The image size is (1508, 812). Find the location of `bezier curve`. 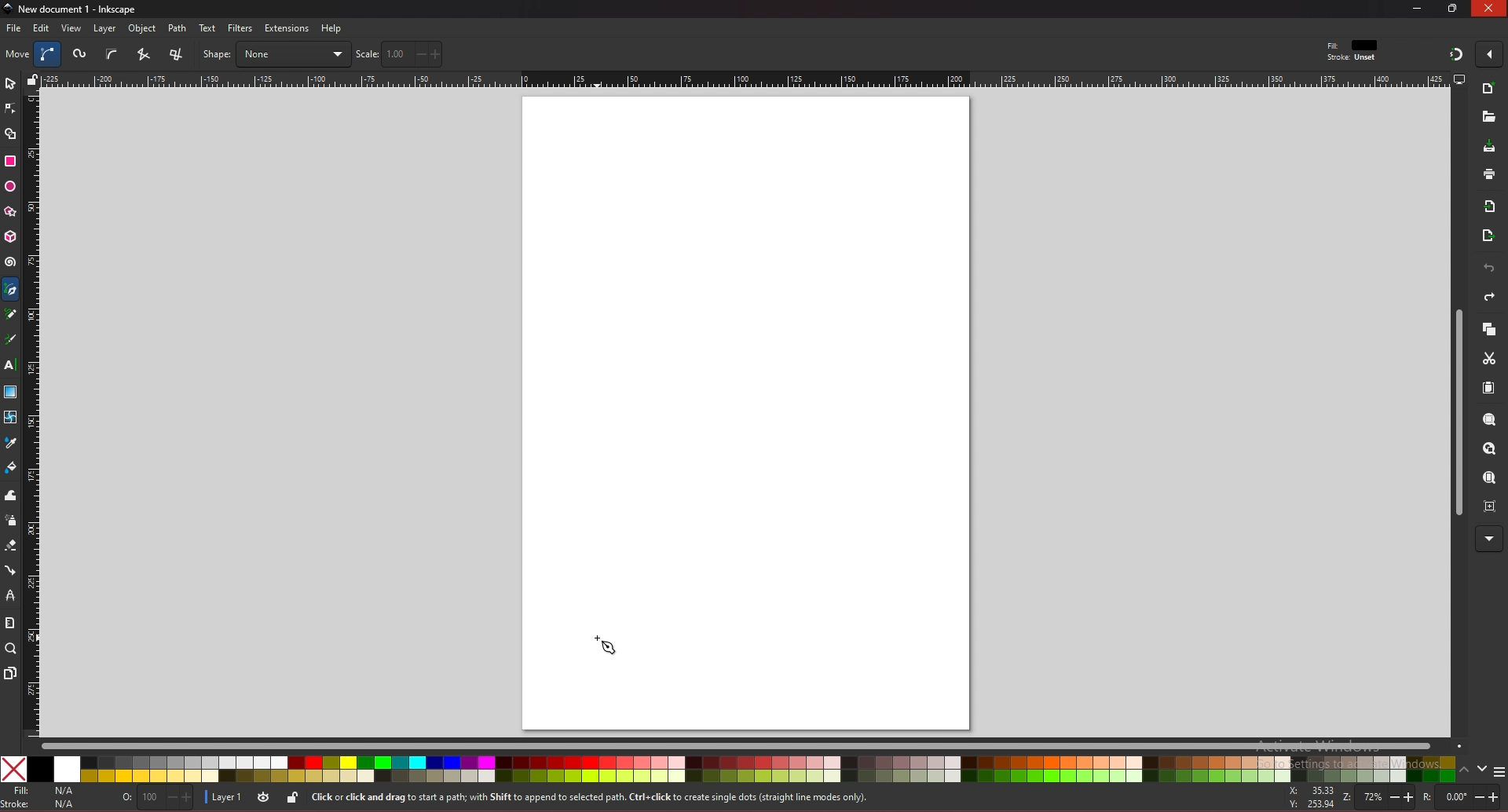

bezier curve is located at coordinates (49, 54).